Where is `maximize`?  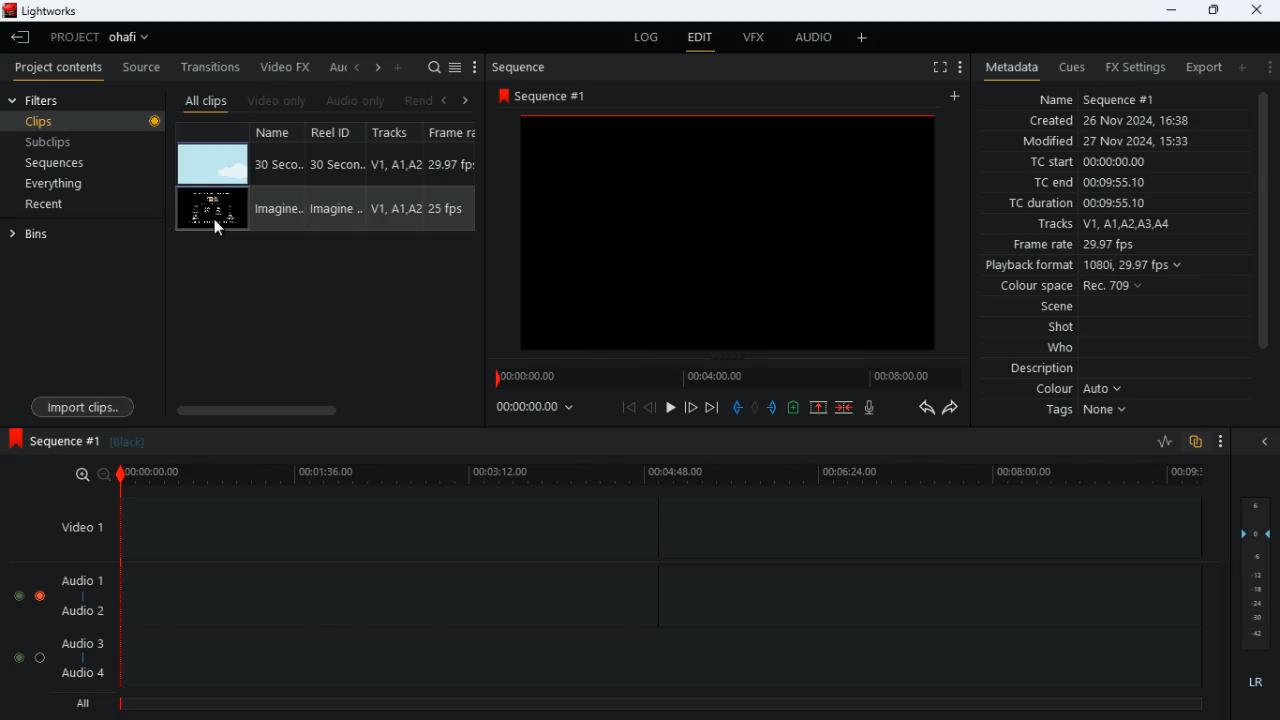 maximize is located at coordinates (1213, 10).